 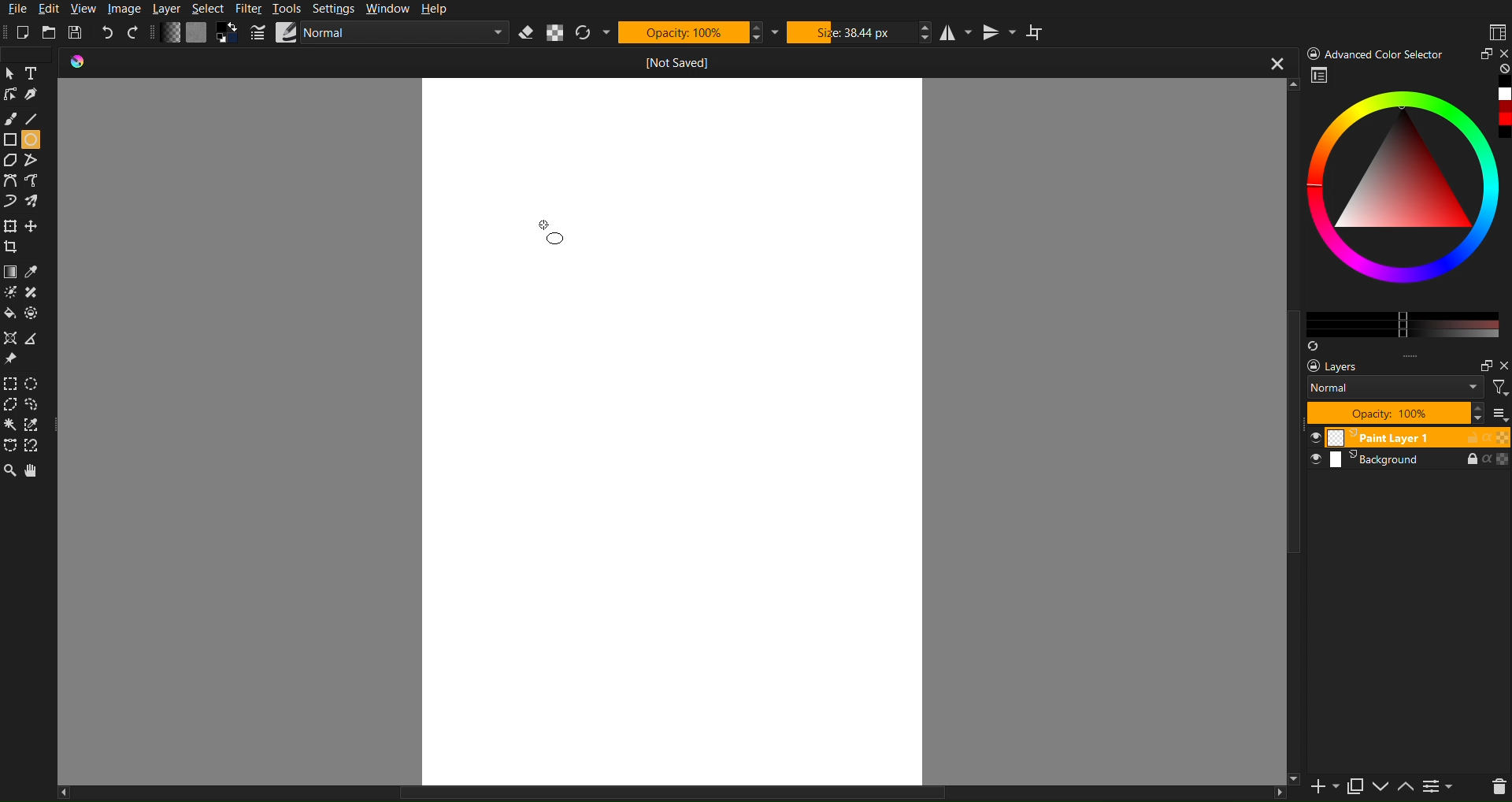 I want to click on Minimize, so click(x=1479, y=53).